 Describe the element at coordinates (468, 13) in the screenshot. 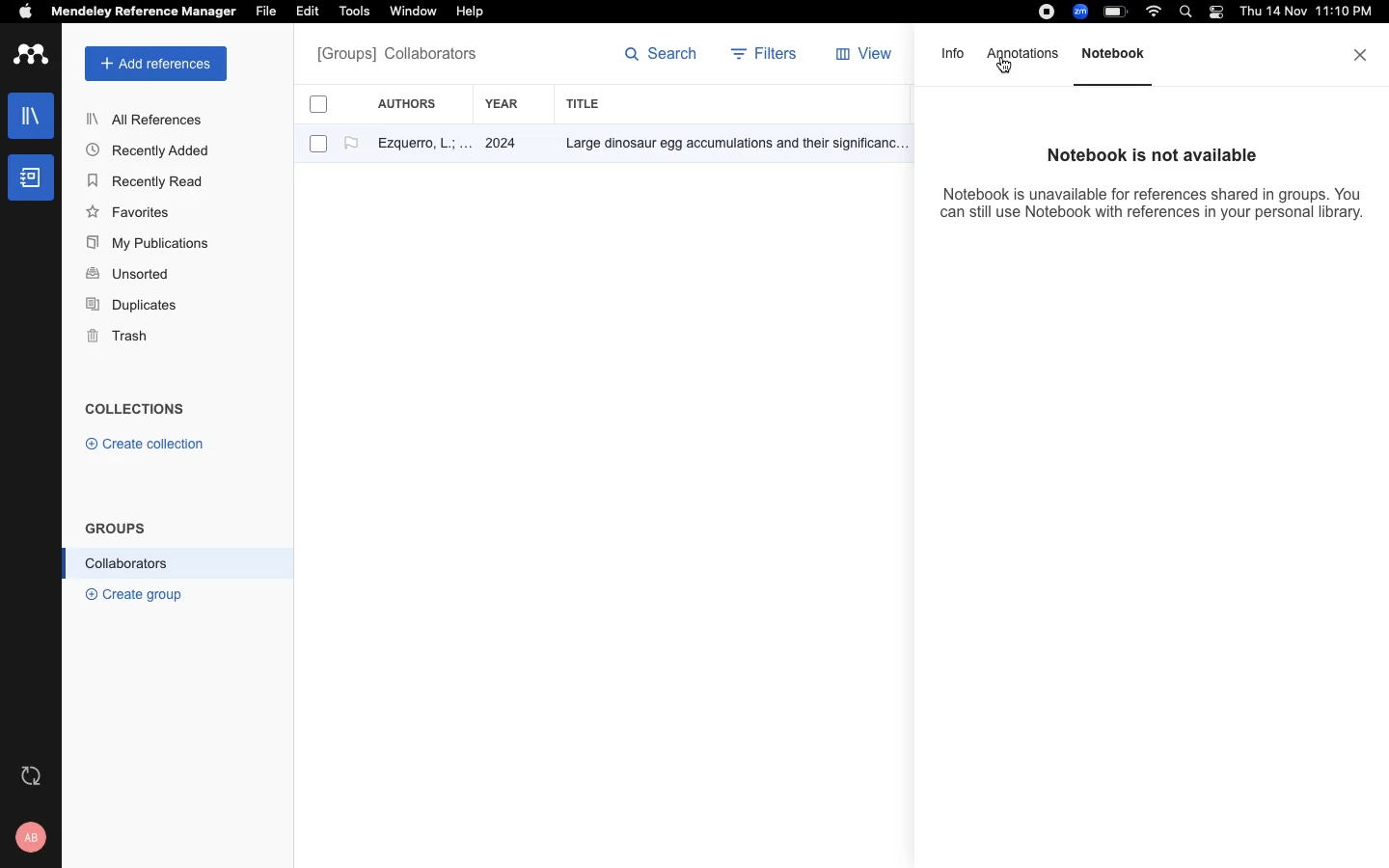

I see `Help` at that location.